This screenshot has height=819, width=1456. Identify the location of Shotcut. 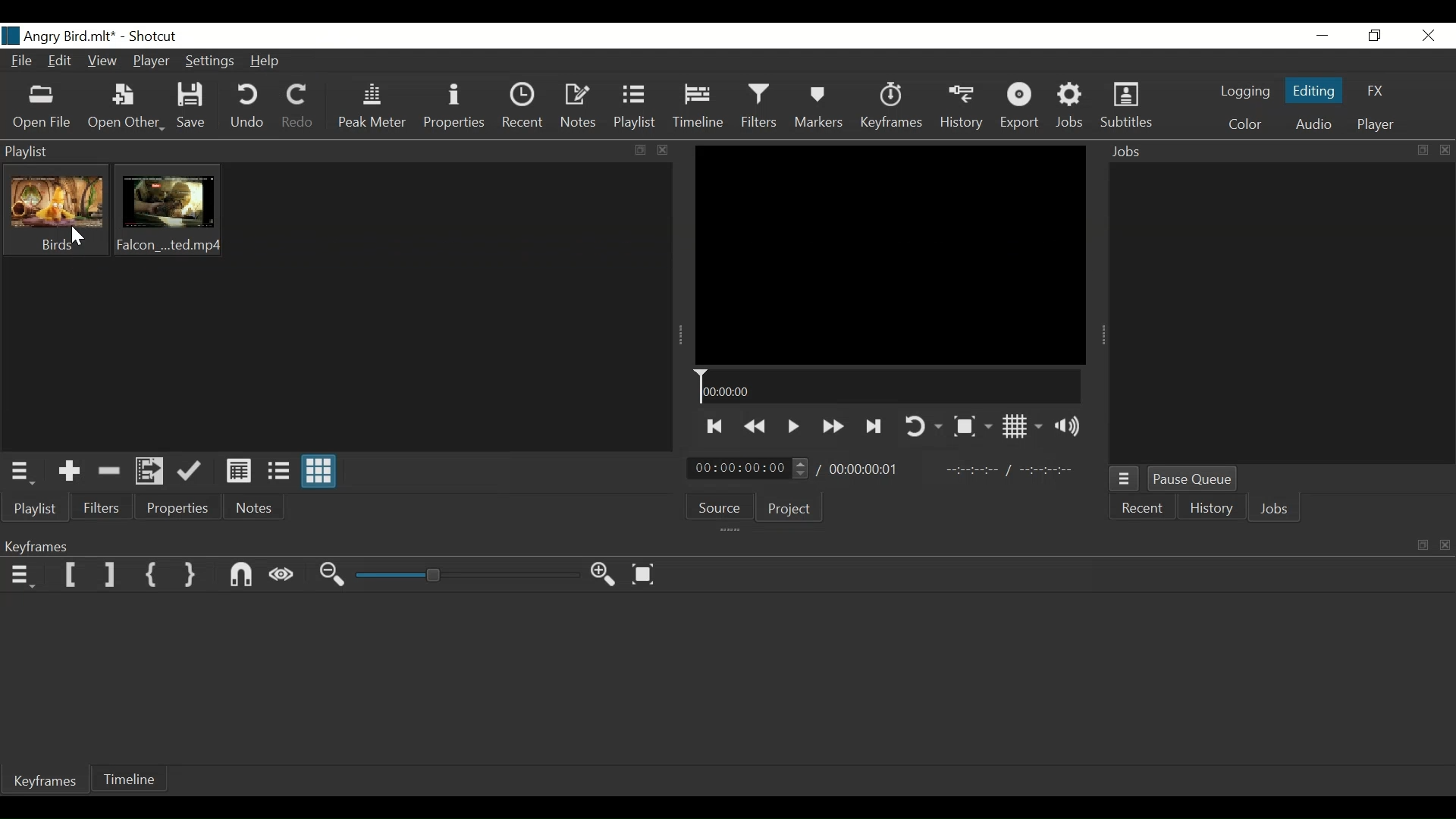
(153, 36).